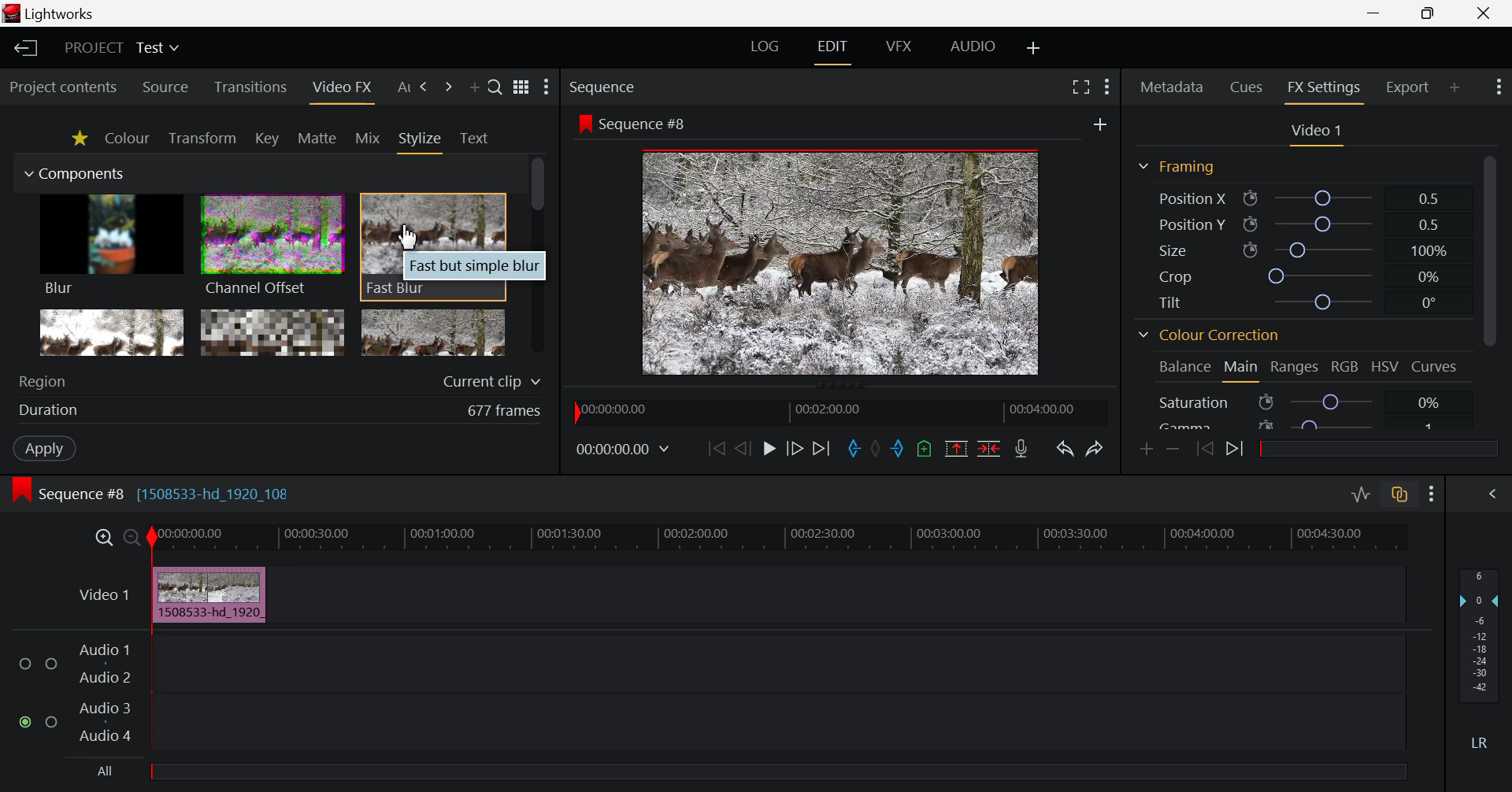 The width and height of the screenshot is (1512, 792). I want to click on LOG Layout, so click(765, 50).